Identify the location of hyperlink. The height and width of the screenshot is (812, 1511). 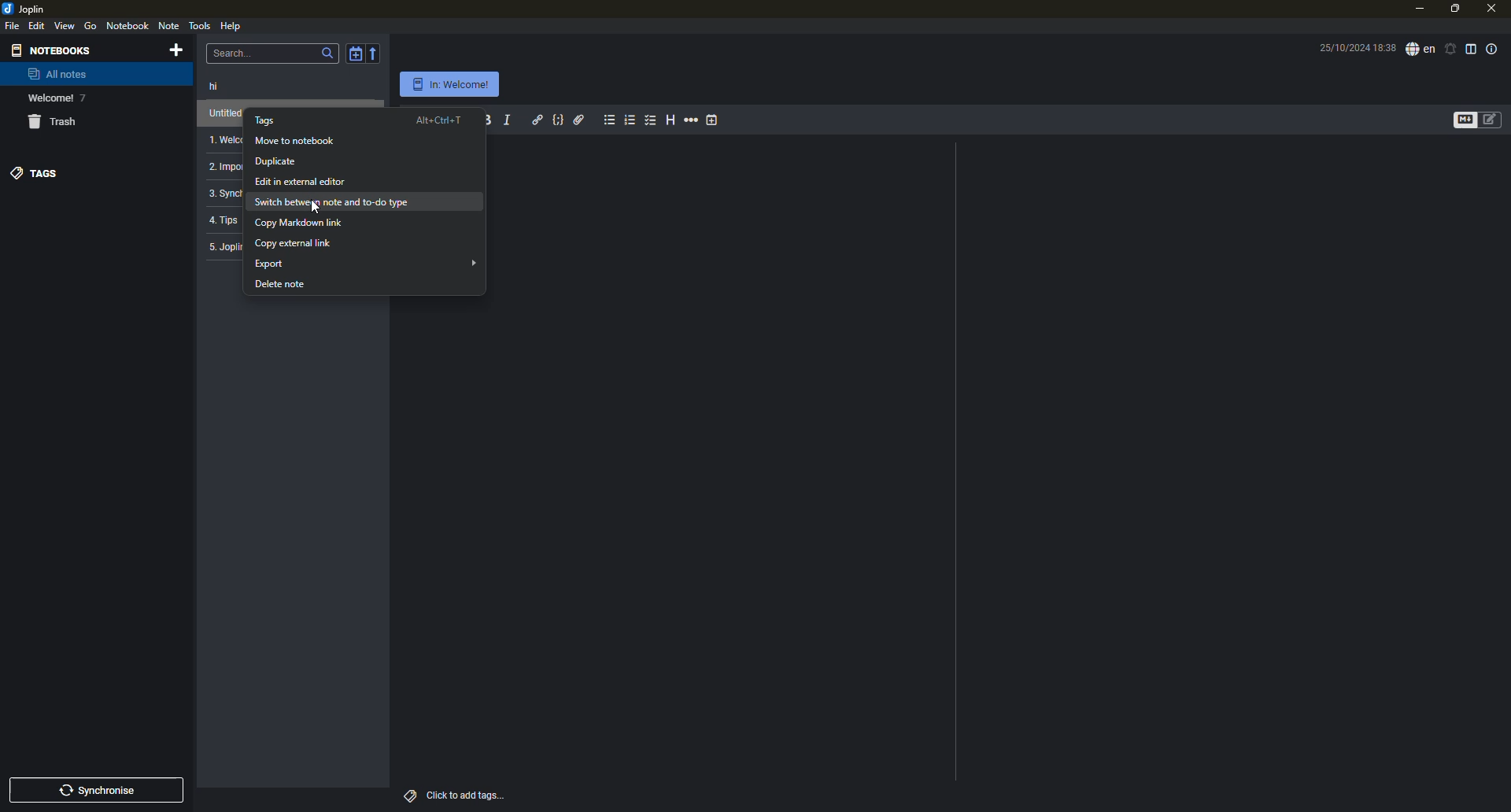
(537, 119).